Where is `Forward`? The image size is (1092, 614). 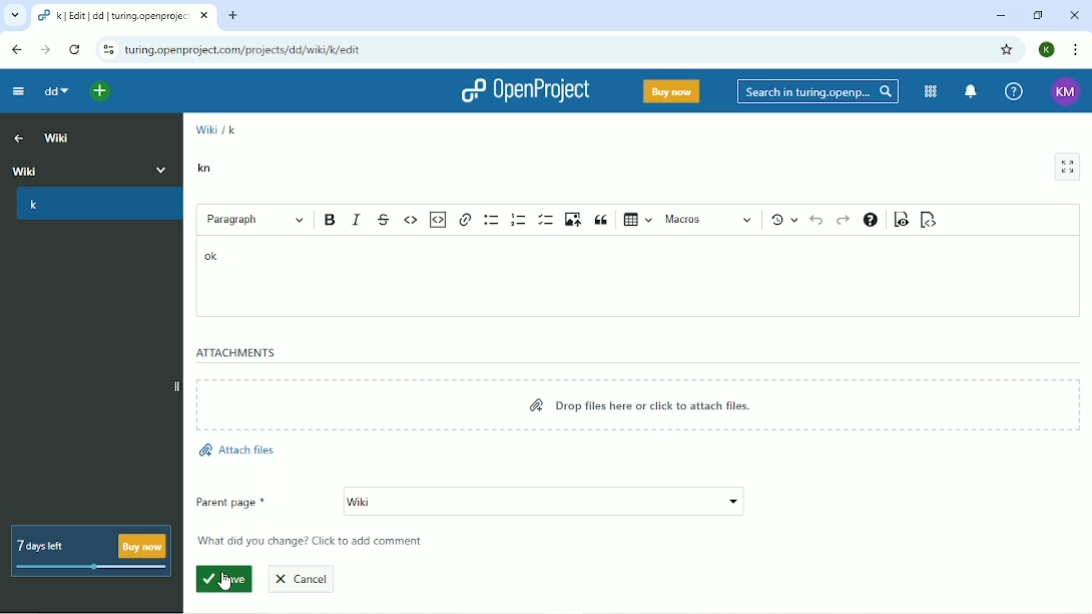
Forward is located at coordinates (45, 50).